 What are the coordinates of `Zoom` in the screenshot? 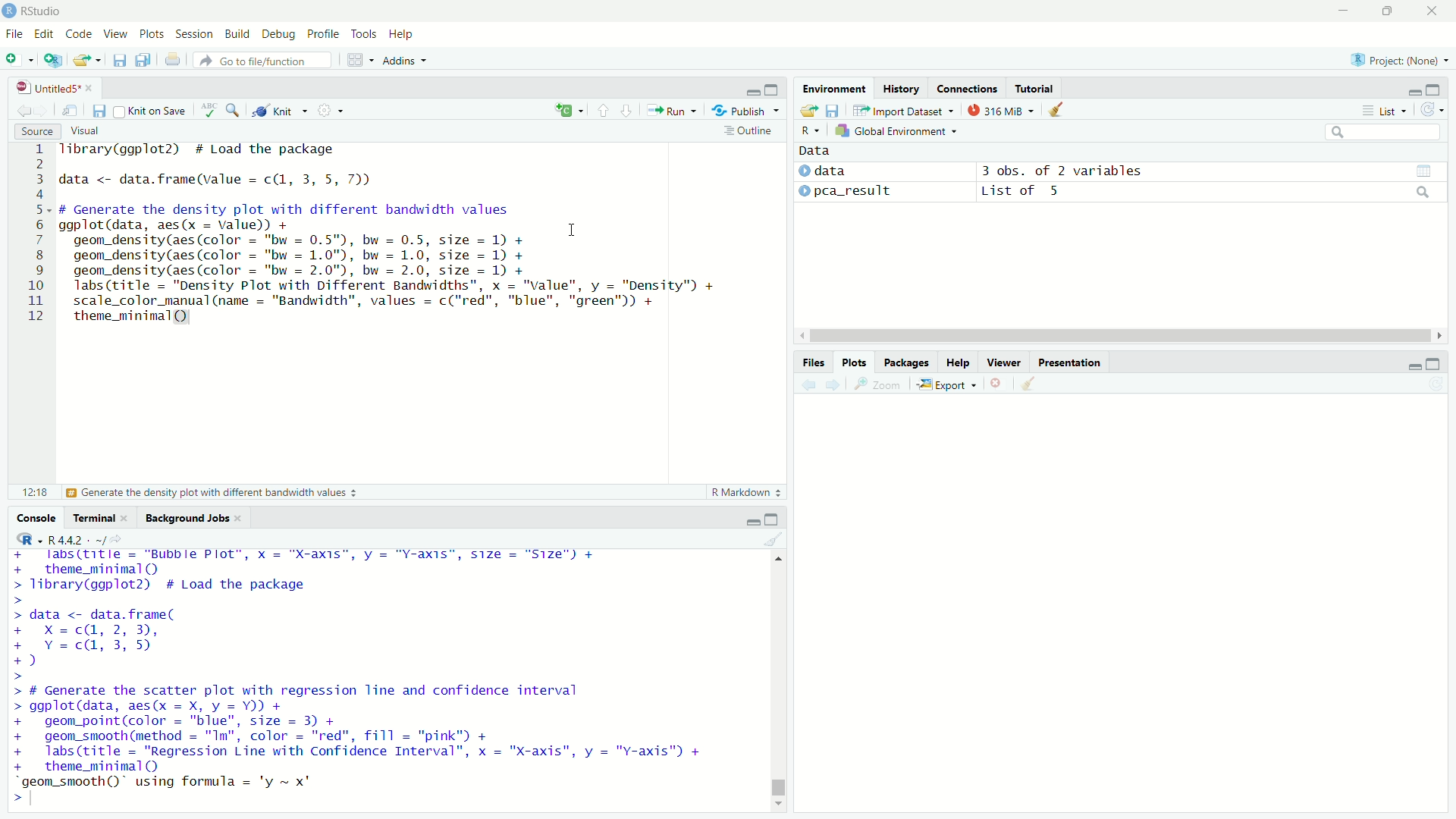 It's located at (878, 384).